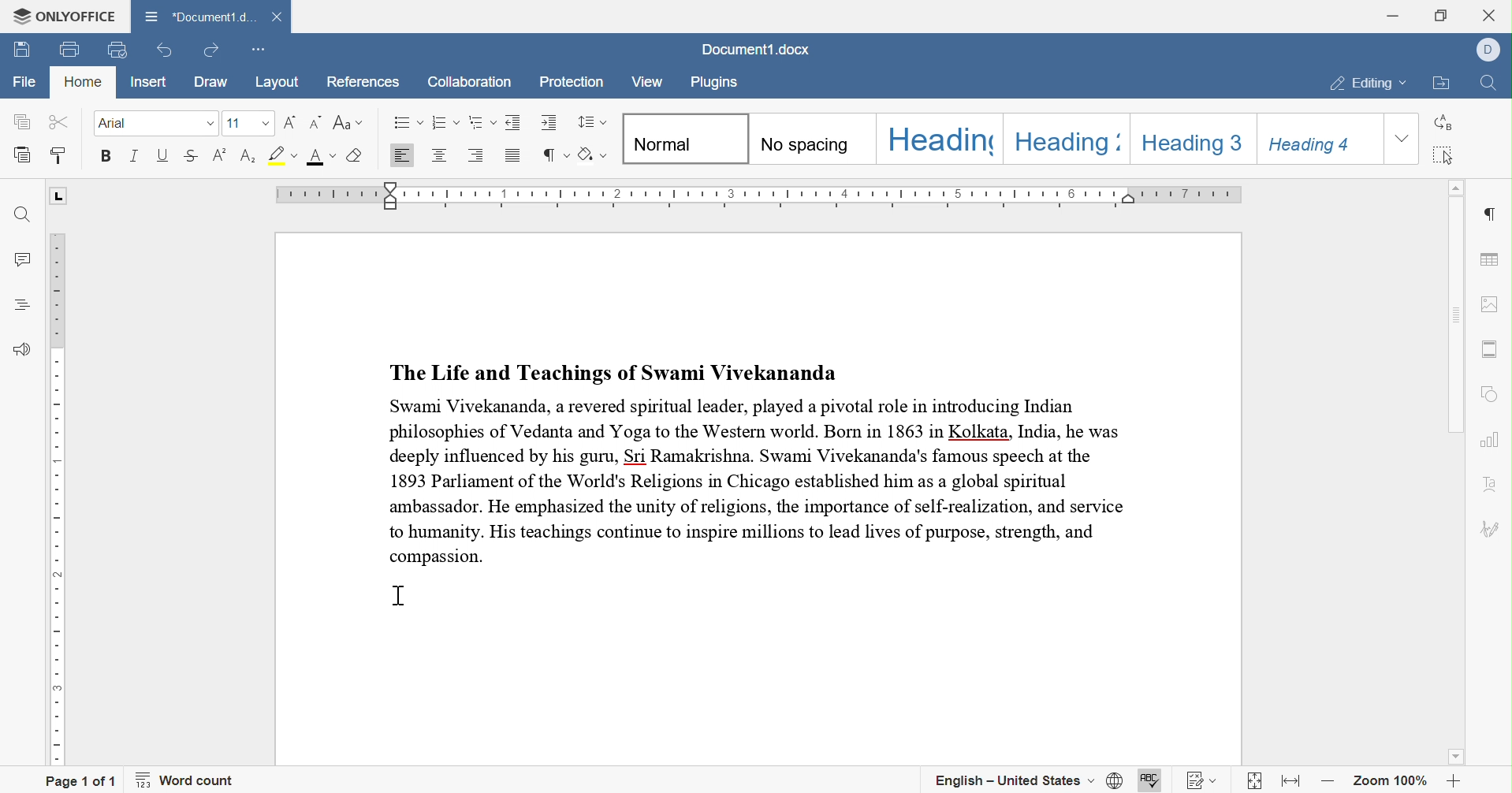 This screenshot has width=1512, height=793. I want to click on drop down, so click(210, 123).